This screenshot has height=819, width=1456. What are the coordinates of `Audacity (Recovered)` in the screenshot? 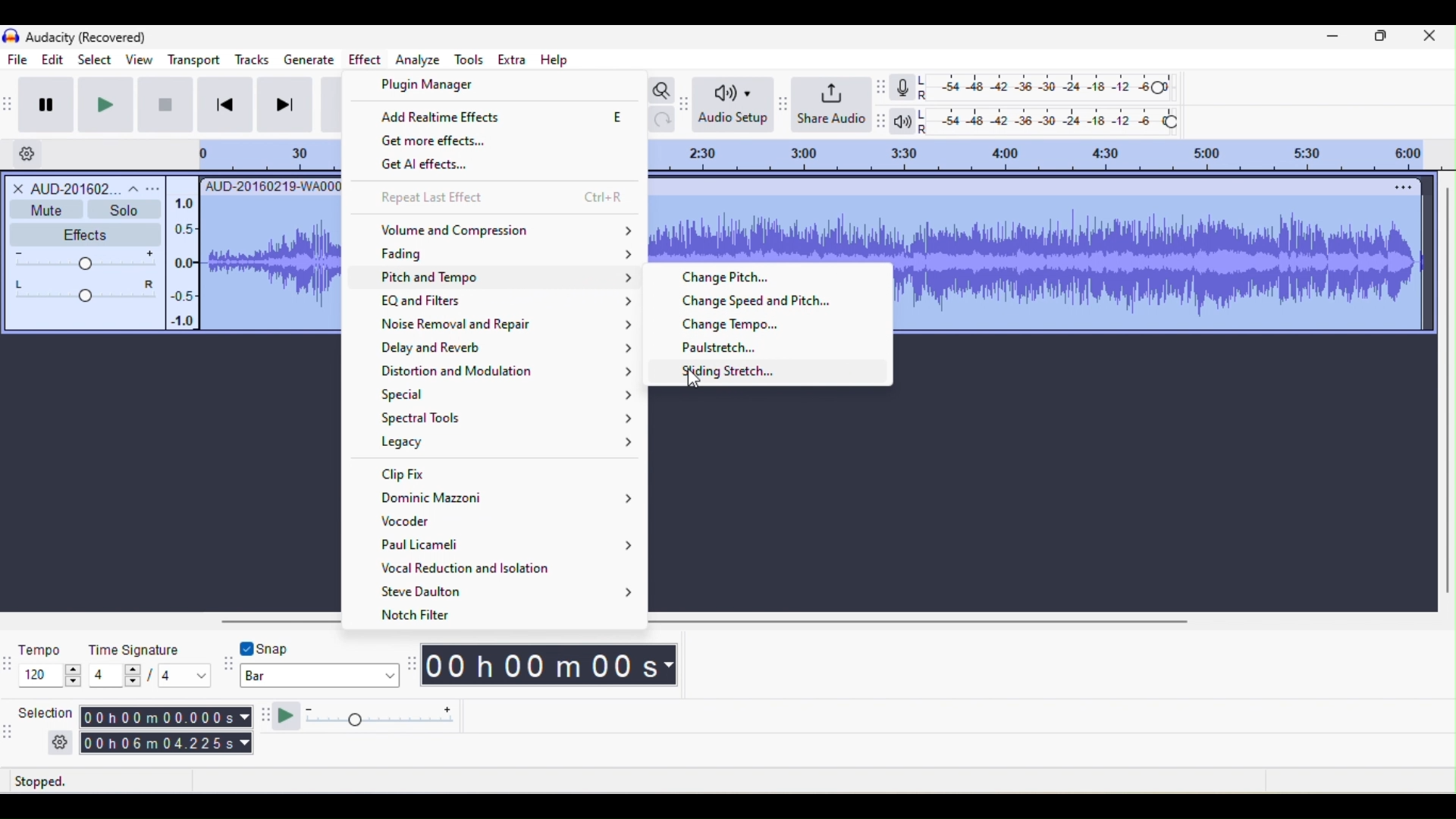 It's located at (86, 37).